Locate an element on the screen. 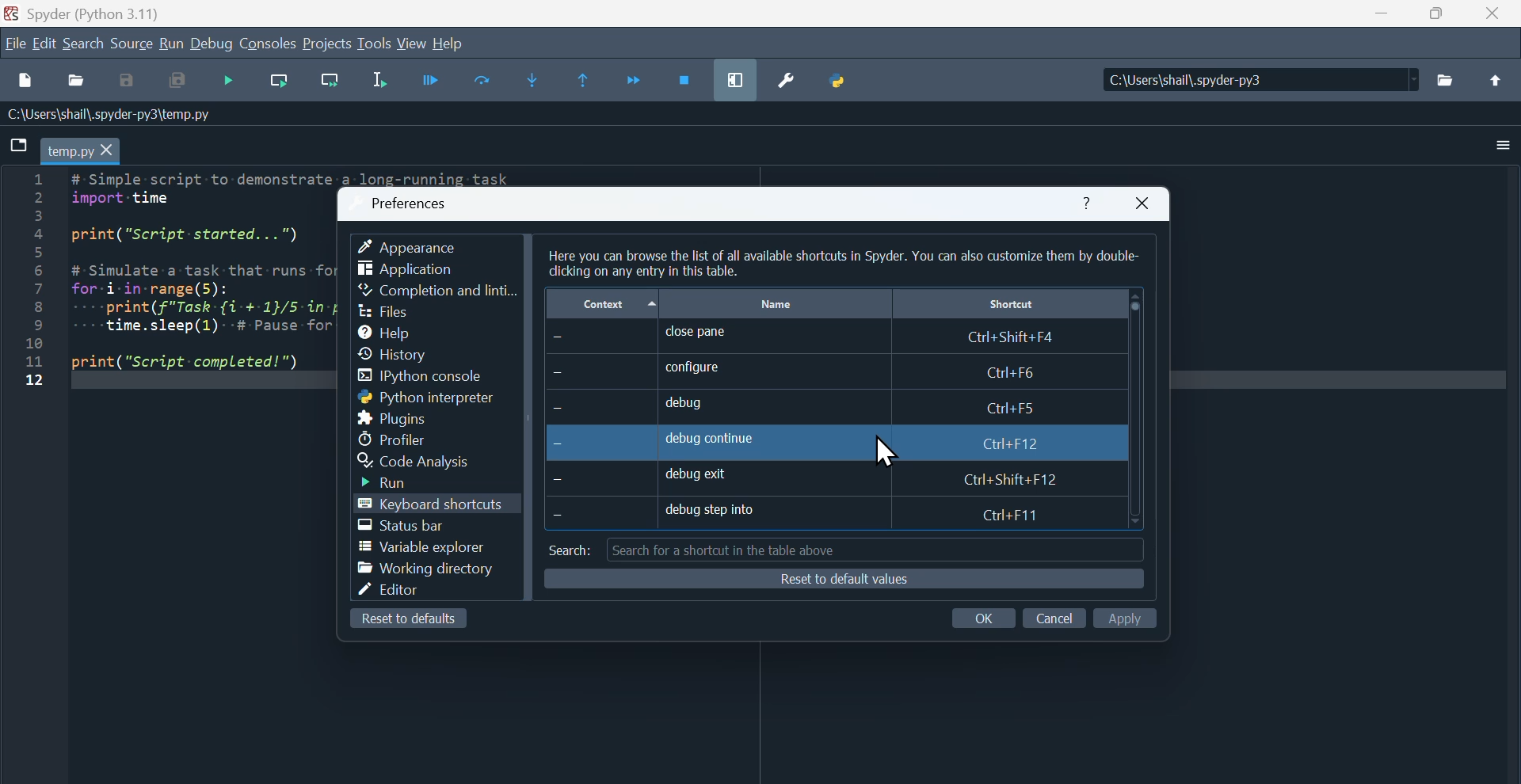 The width and height of the screenshot is (1521, 784). Run current line and go to the next one is located at coordinates (330, 83).